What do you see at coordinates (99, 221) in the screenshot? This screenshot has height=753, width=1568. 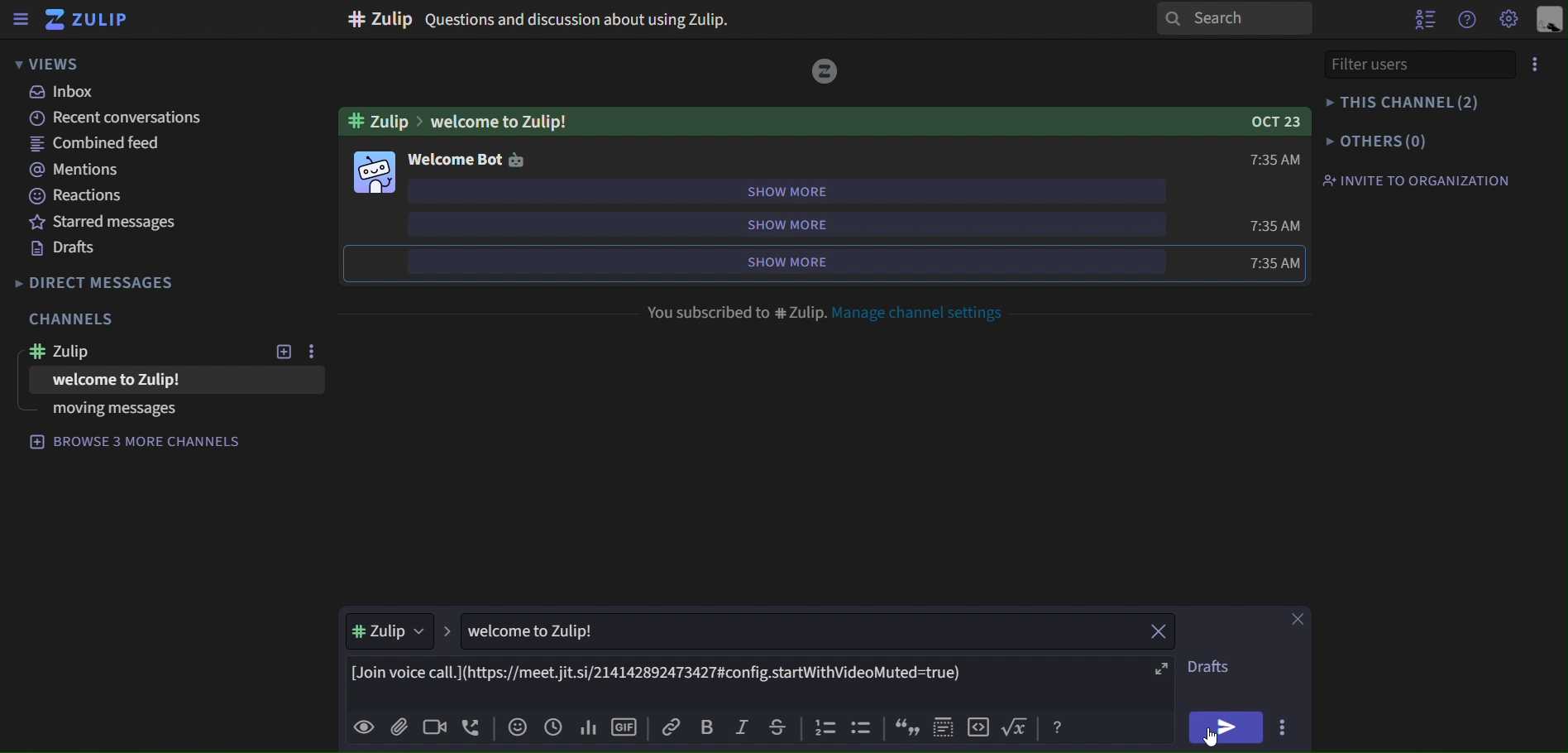 I see `starred messages` at bounding box center [99, 221].